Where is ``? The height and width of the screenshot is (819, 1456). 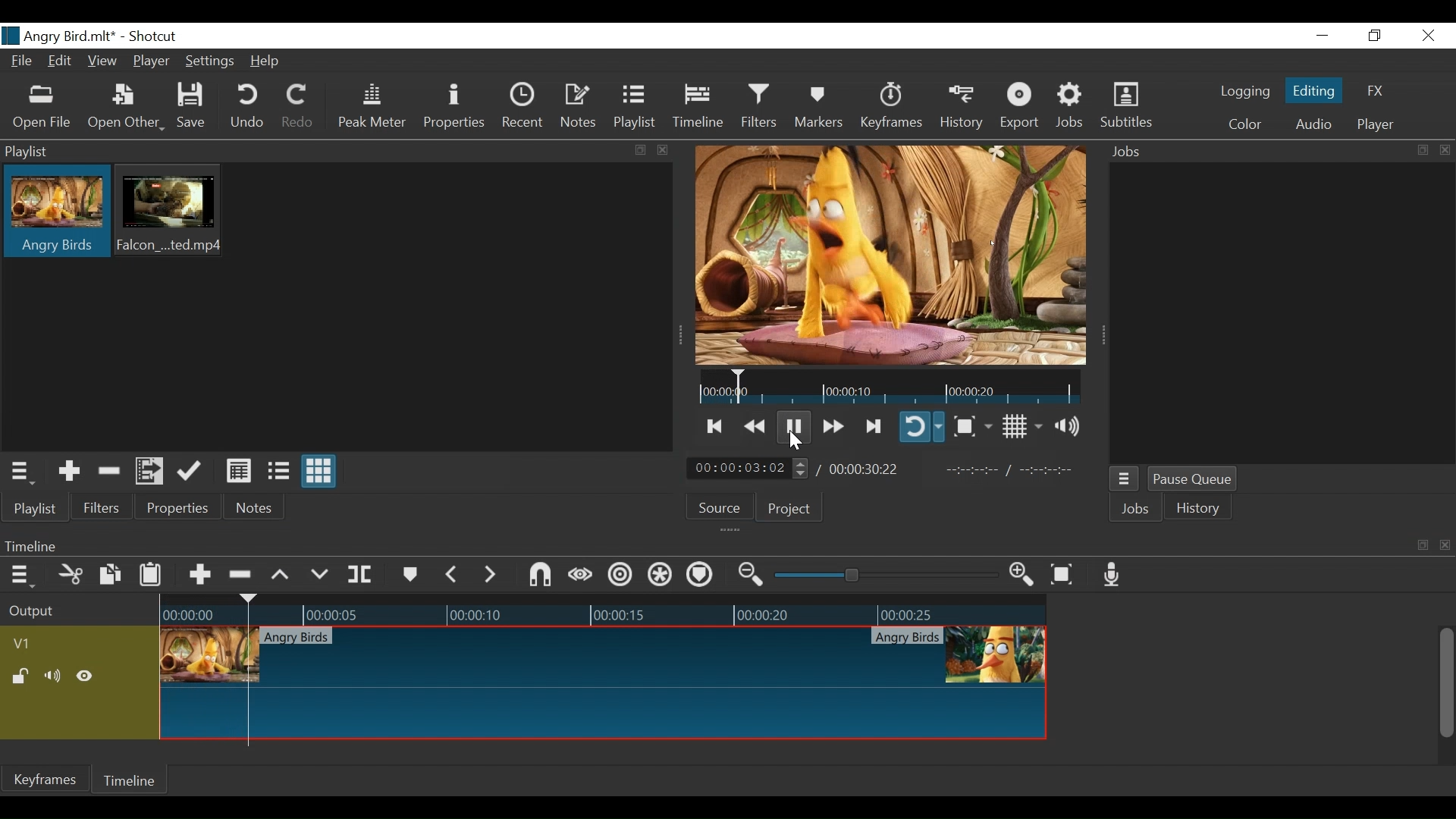
 is located at coordinates (729, 544).